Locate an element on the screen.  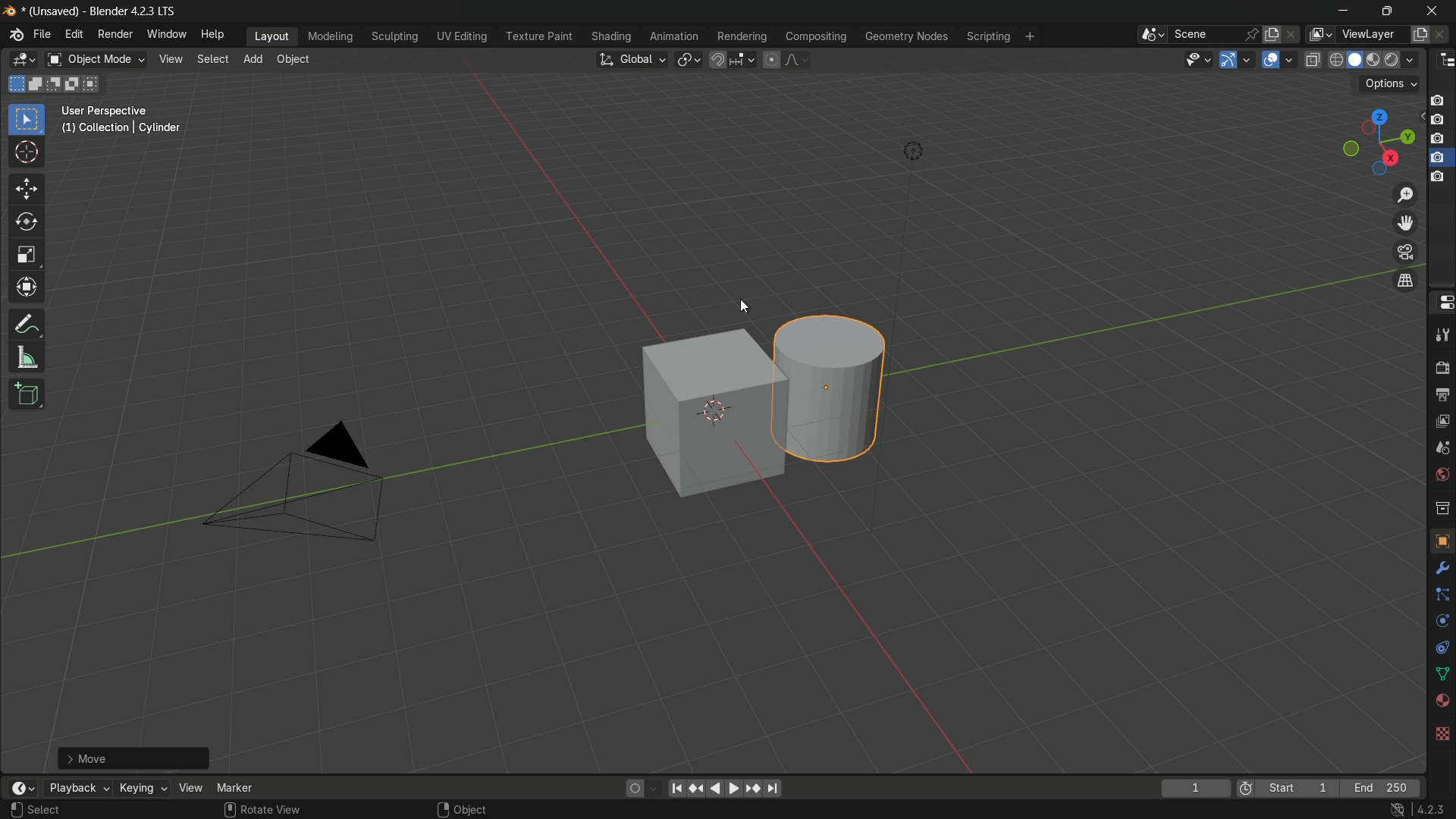
light is located at coordinates (908, 154).